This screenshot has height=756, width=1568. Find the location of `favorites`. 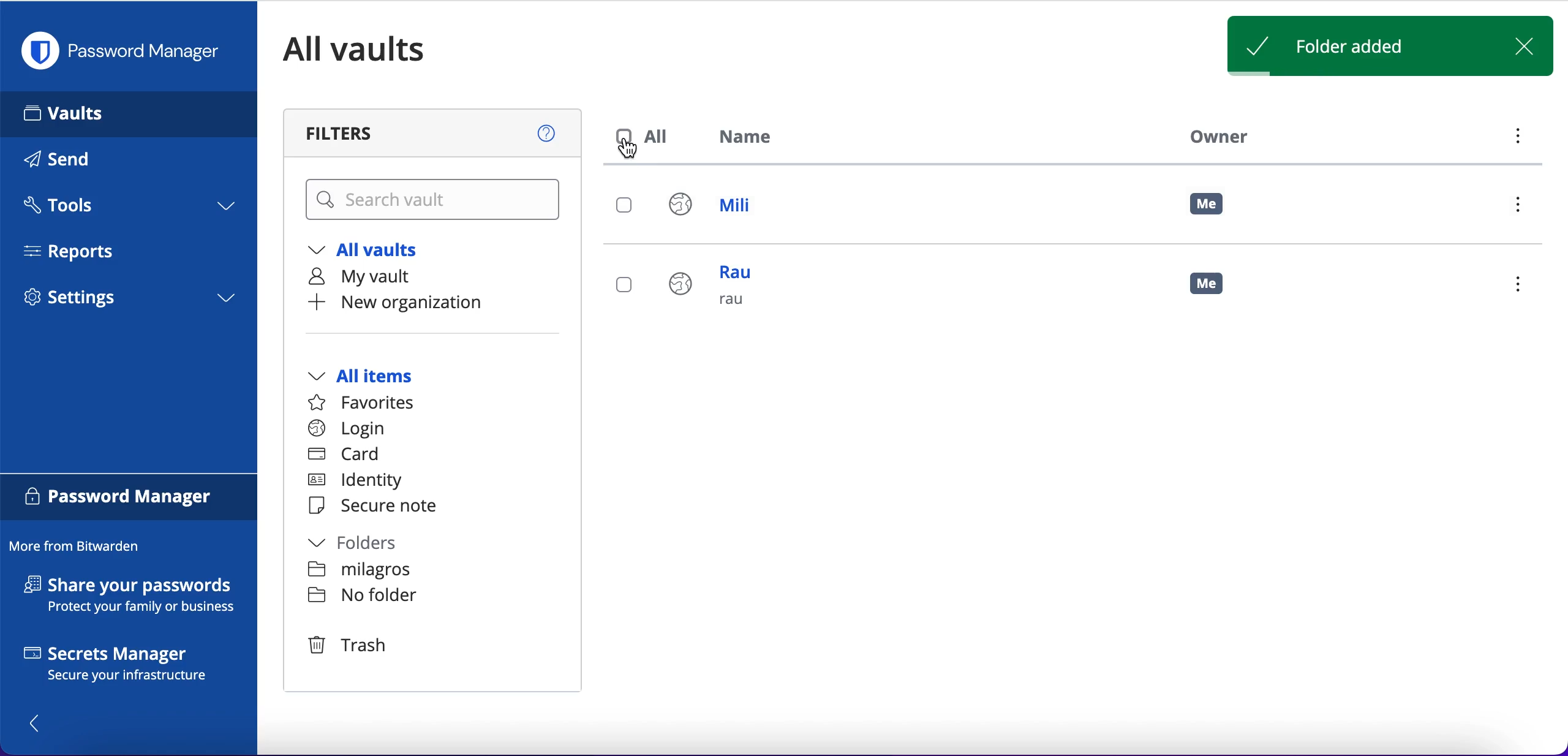

favorites is located at coordinates (369, 403).